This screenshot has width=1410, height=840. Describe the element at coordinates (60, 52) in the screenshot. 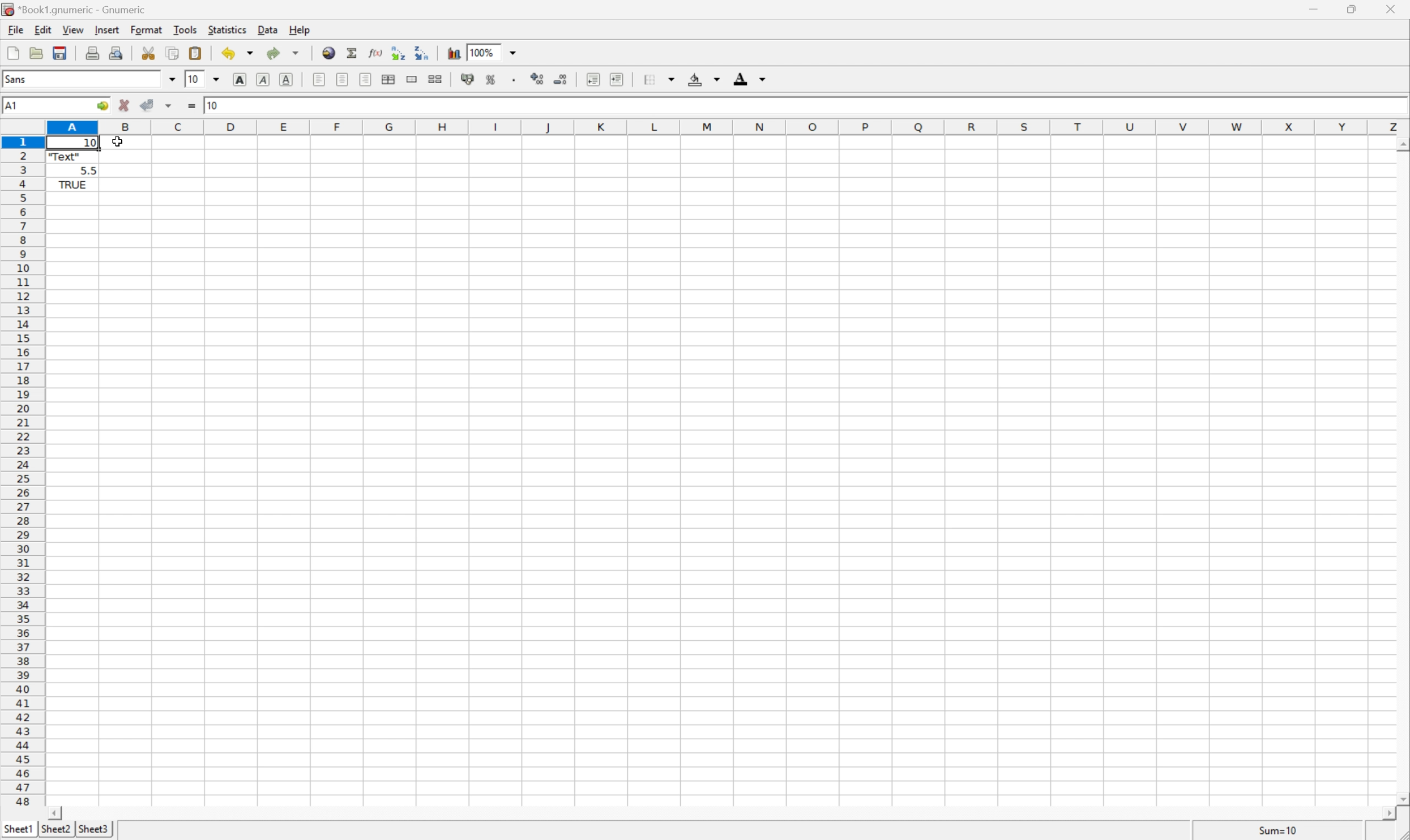

I see `Save current workbook` at that location.